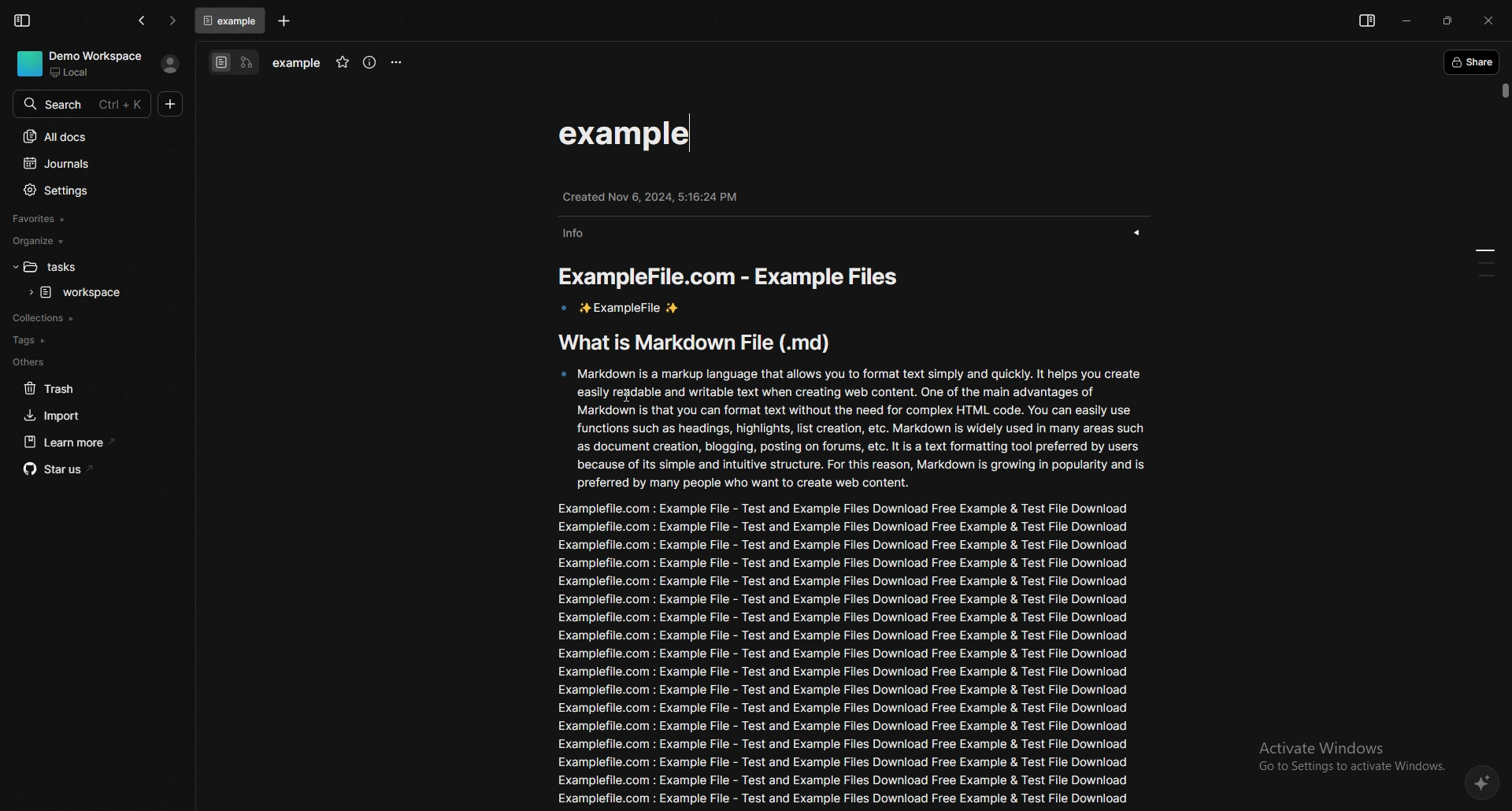 This screenshot has height=811, width=1512. What do you see at coordinates (91, 416) in the screenshot?
I see `import` at bounding box center [91, 416].